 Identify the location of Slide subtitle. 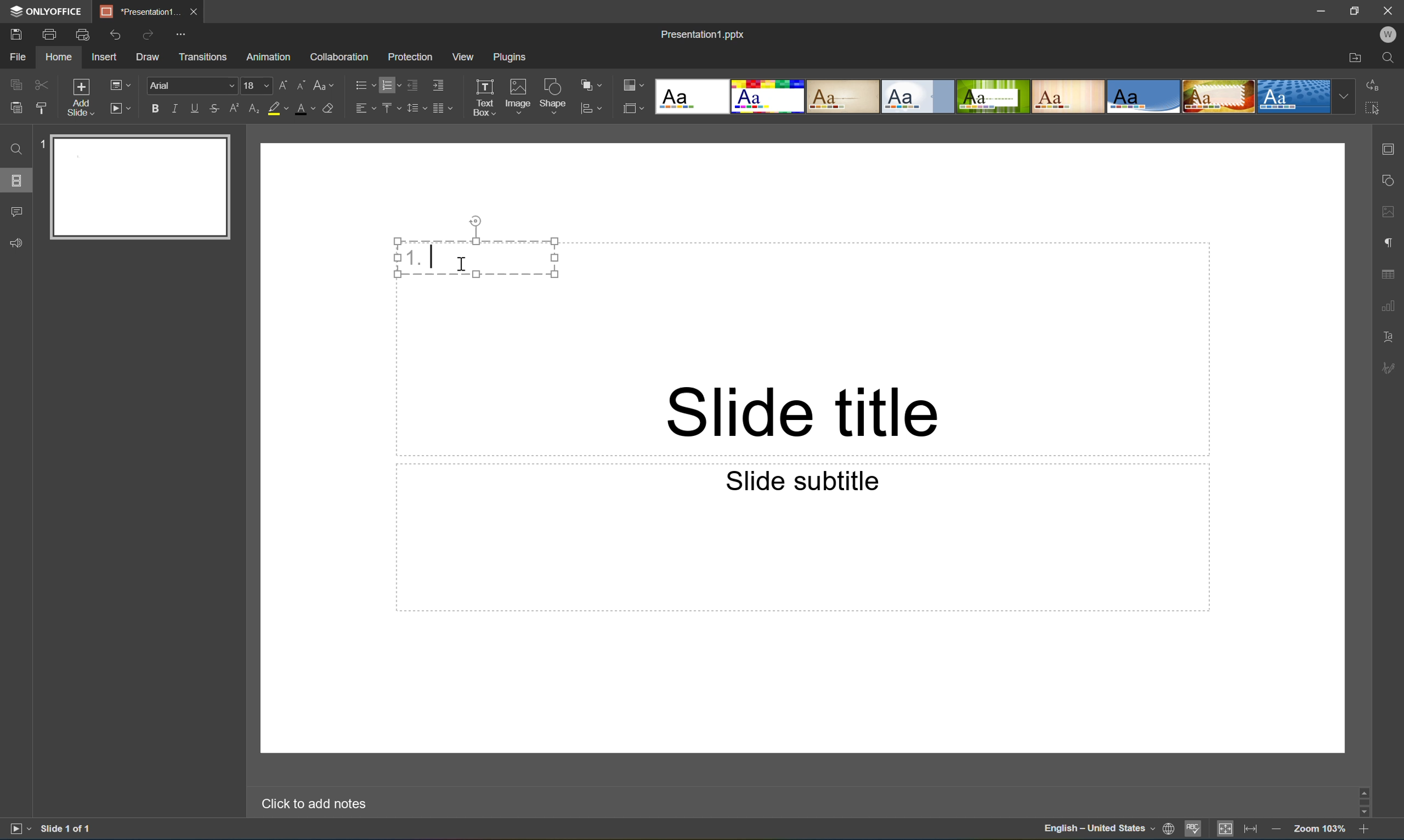
(799, 479).